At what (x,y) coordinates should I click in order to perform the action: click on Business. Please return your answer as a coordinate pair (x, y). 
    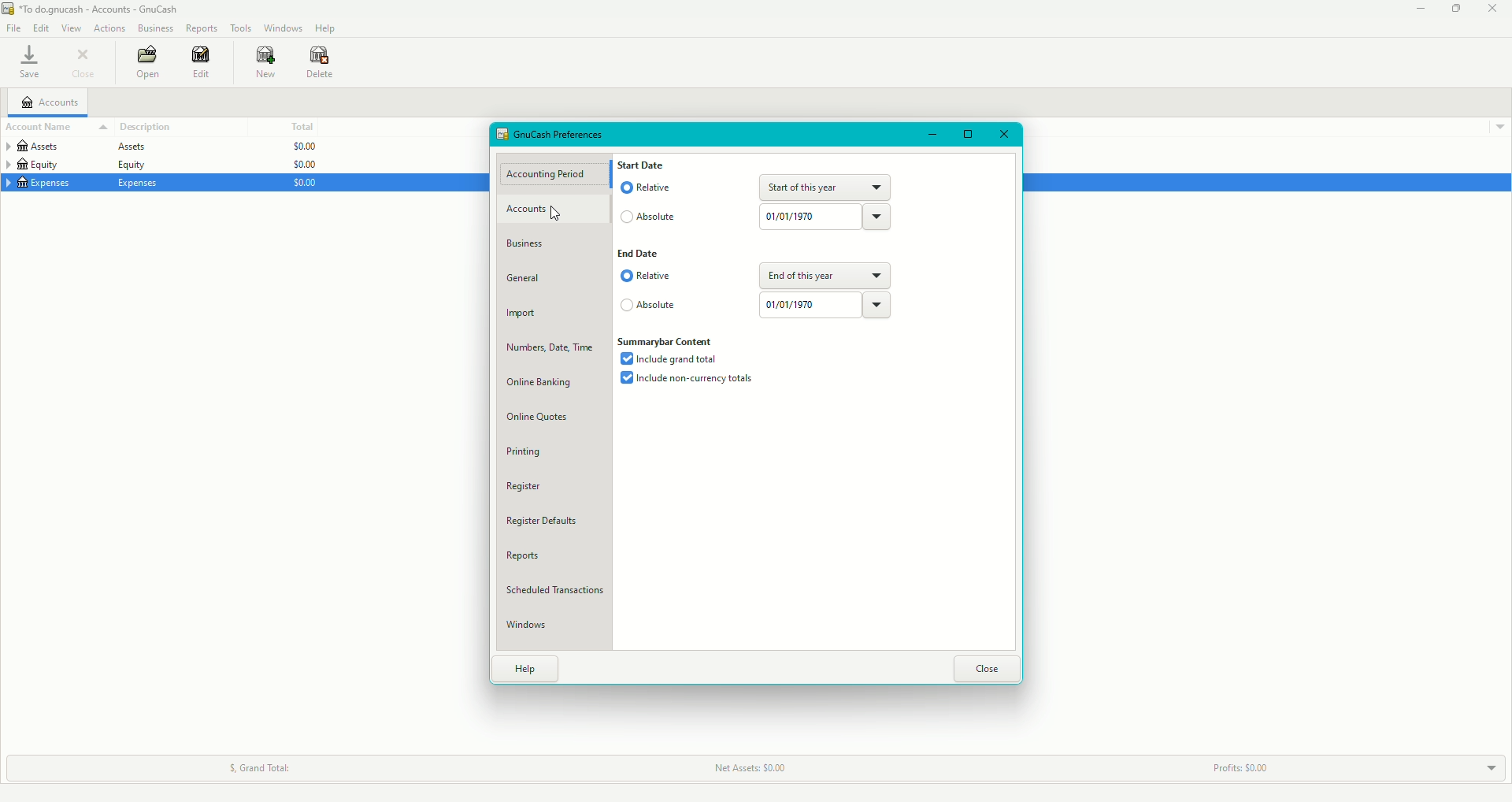
    Looking at the image, I should click on (528, 244).